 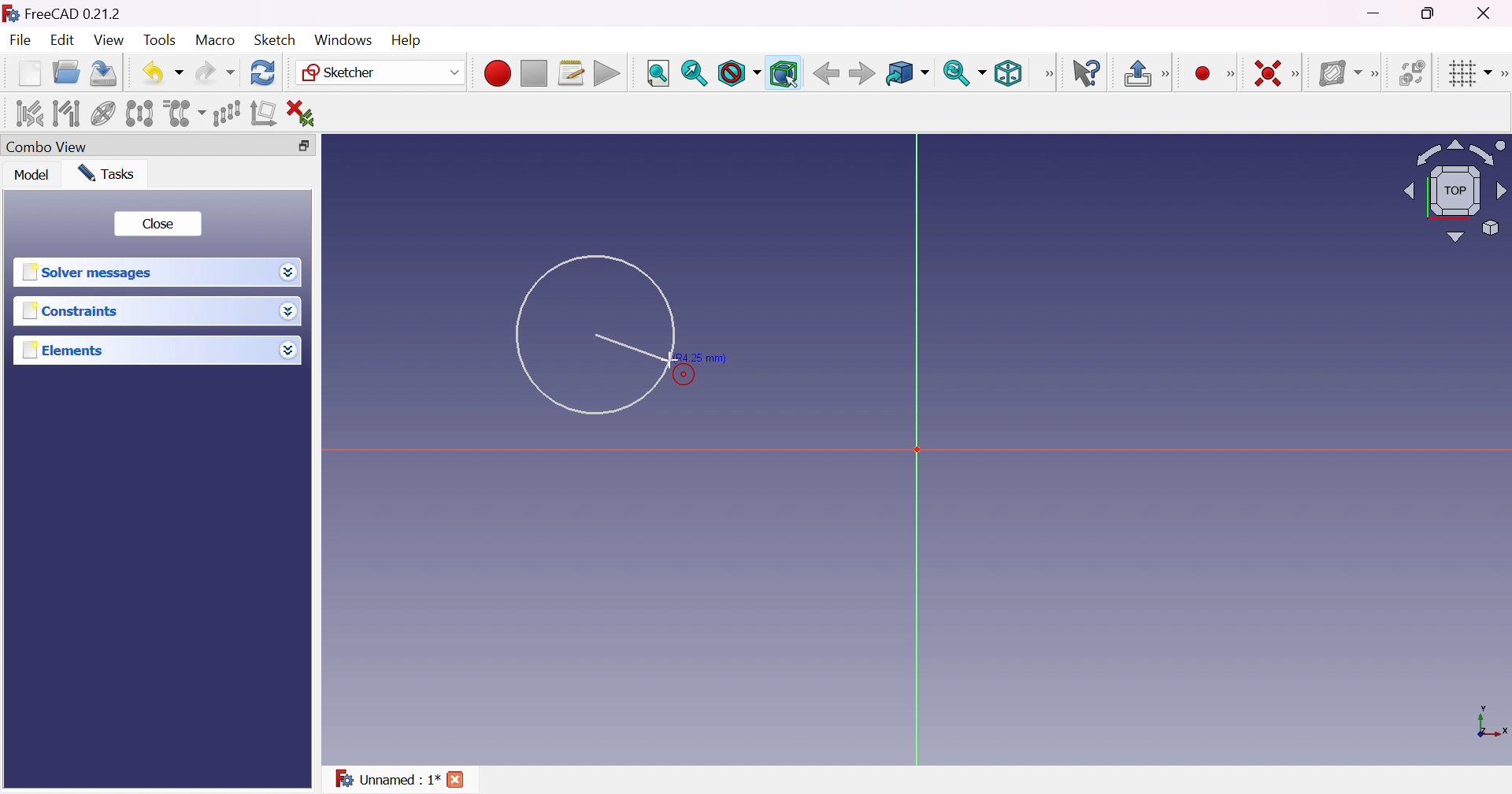 What do you see at coordinates (1413, 72) in the screenshot?
I see `Switch virtual space` at bounding box center [1413, 72].